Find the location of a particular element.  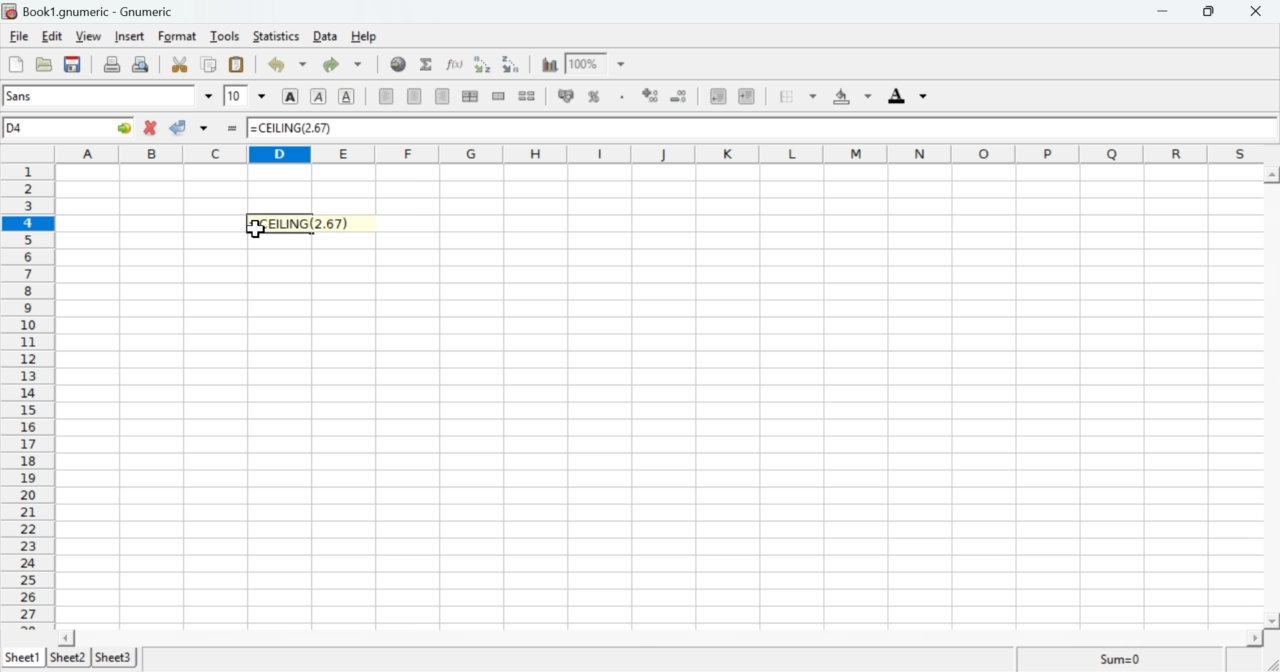

Sort ascending is located at coordinates (485, 64).